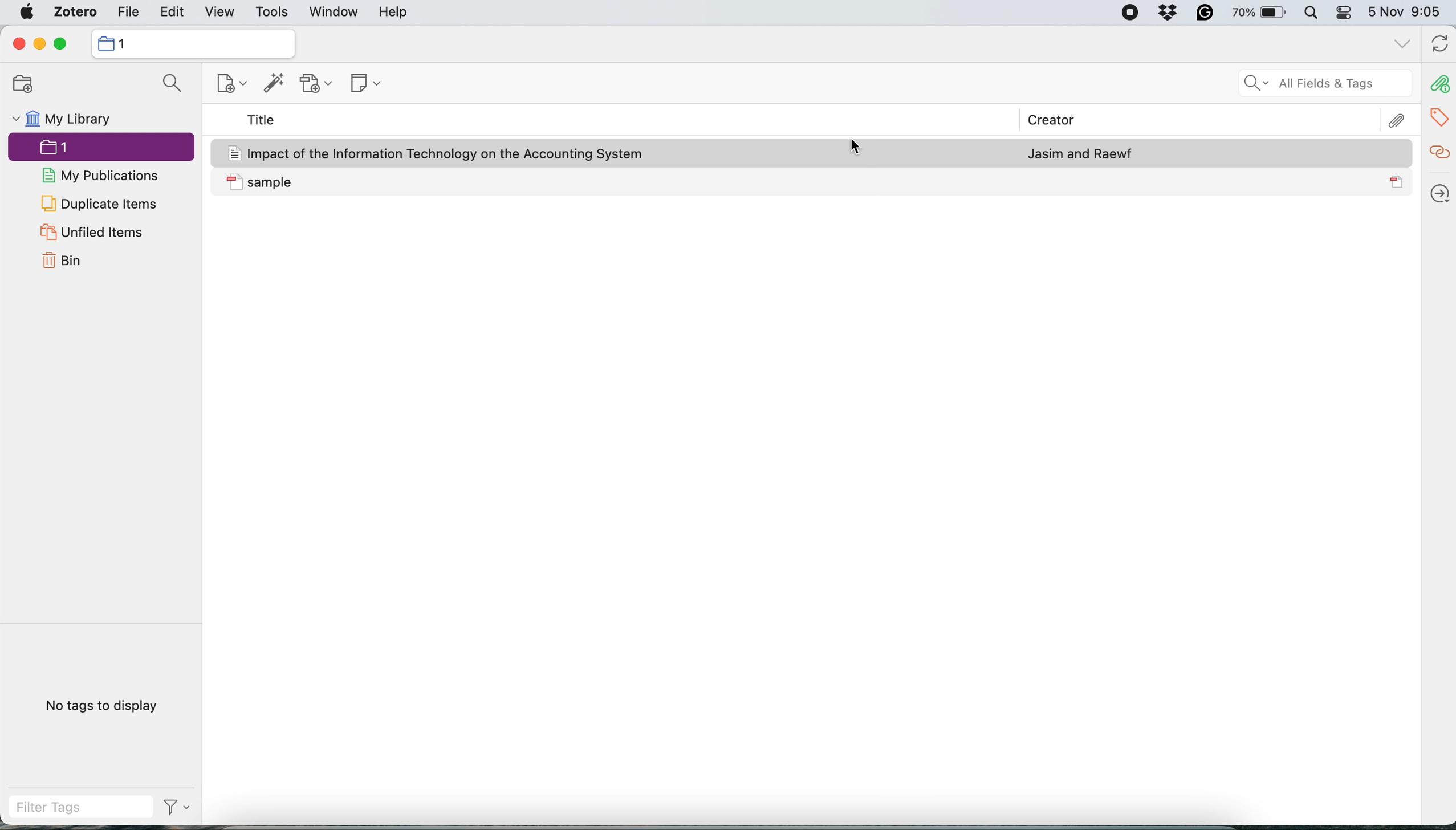 This screenshot has height=830, width=1456. What do you see at coordinates (67, 262) in the screenshot?
I see `bin` at bounding box center [67, 262].